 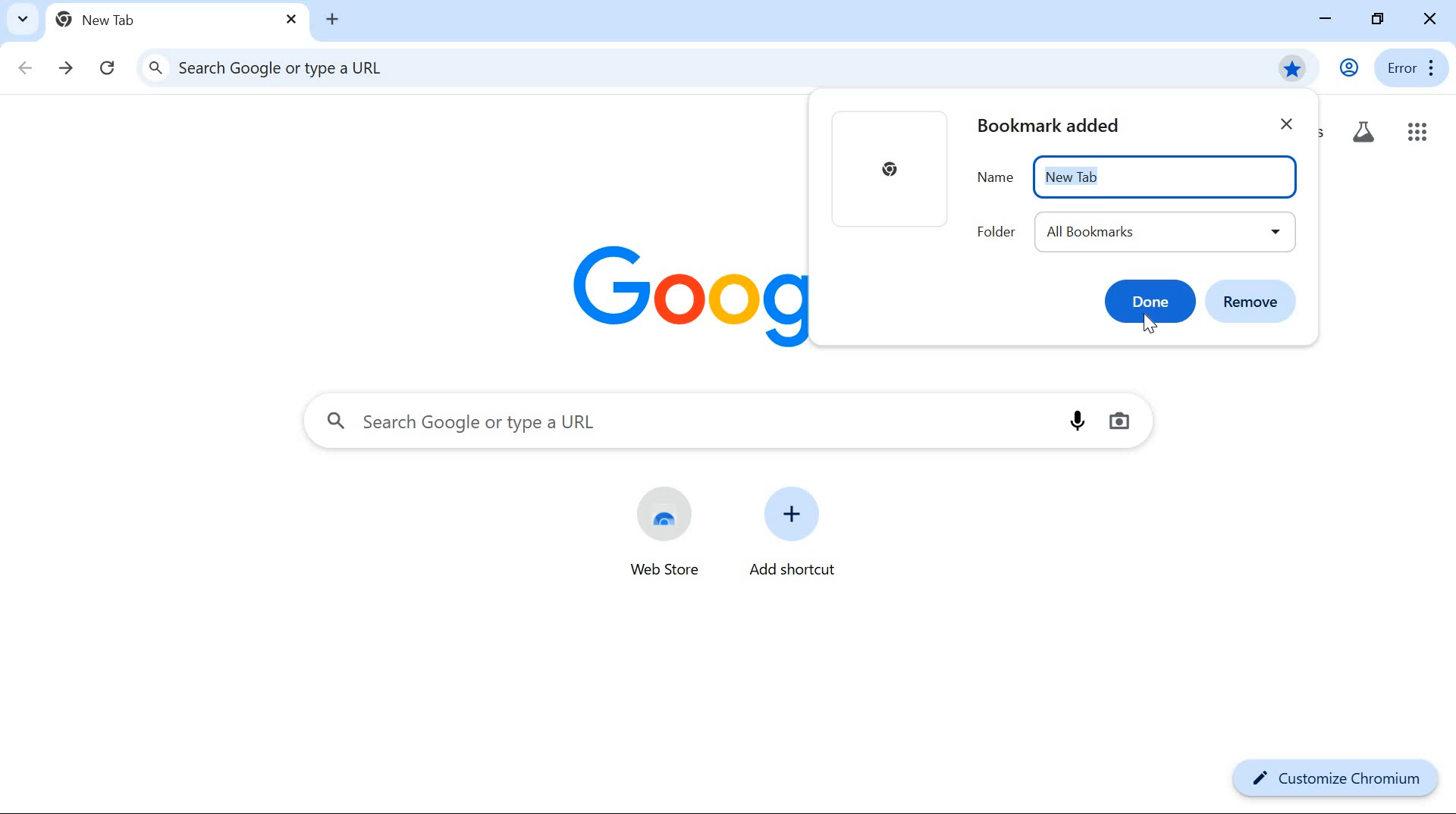 What do you see at coordinates (111, 68) in the screenshot?
I see `refresh` at bounding box center [111, 68].